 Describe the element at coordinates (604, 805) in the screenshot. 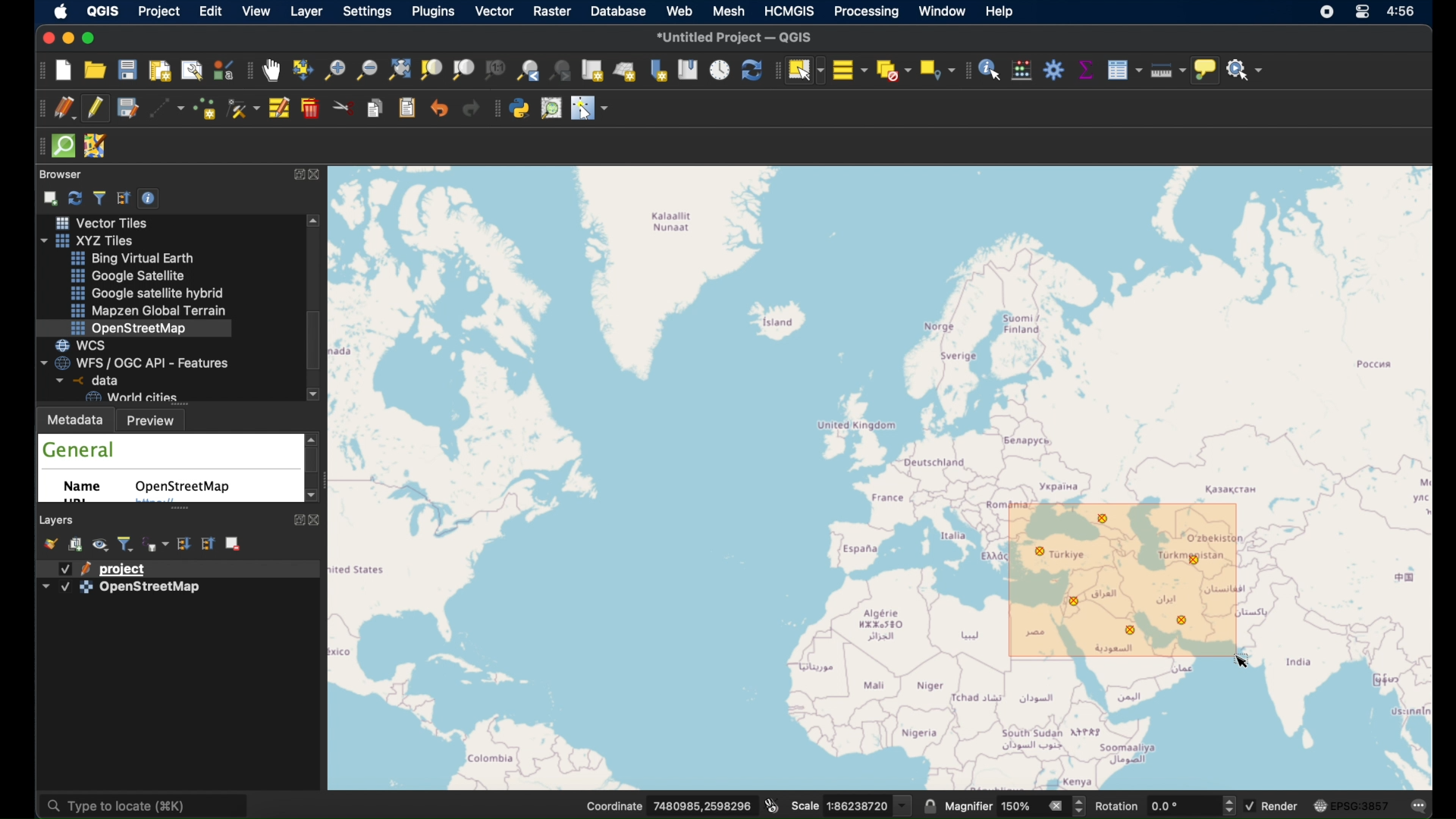

I see `Coordinate` at that location.